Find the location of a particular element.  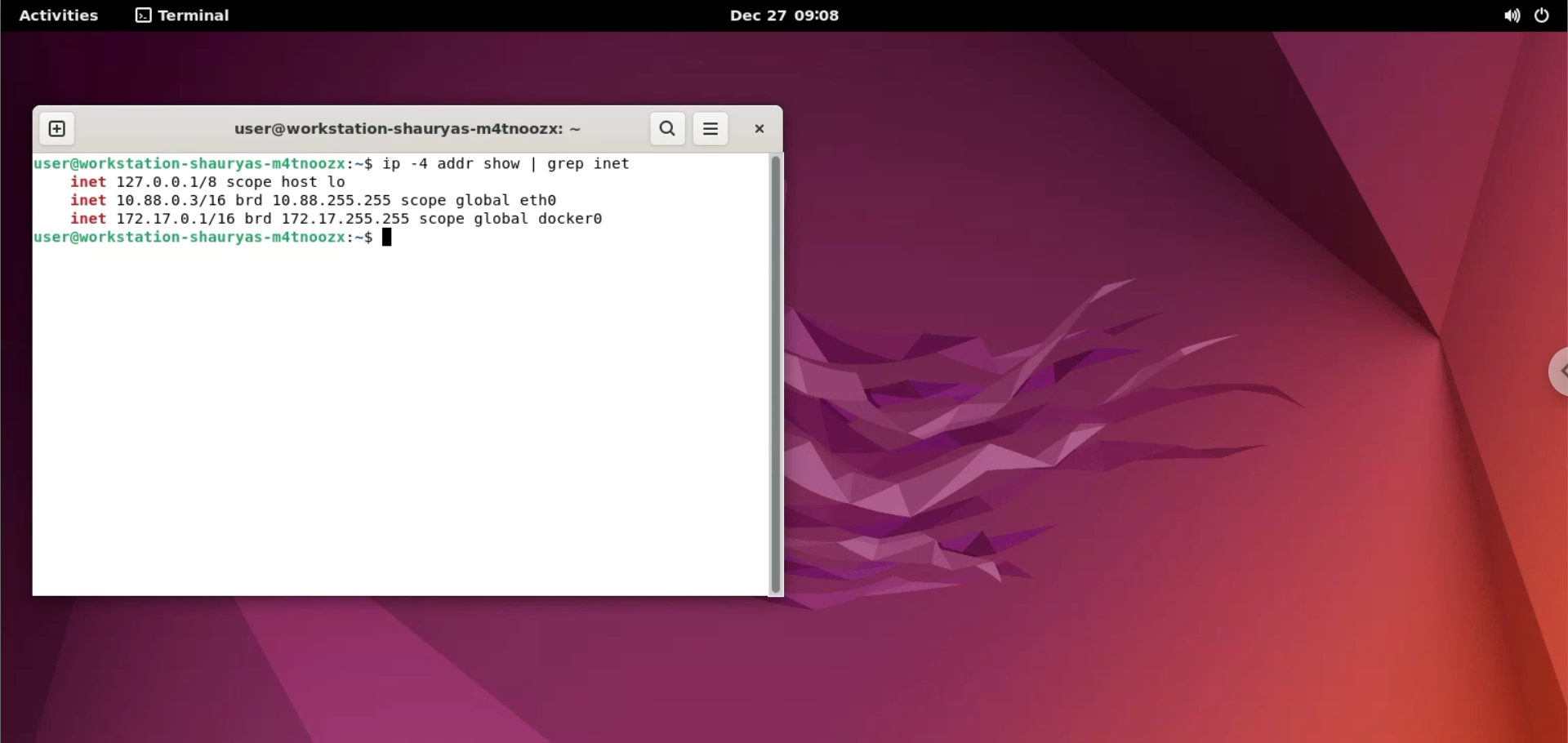

Dec 27 09:07 is located at coordinates (791, 17).